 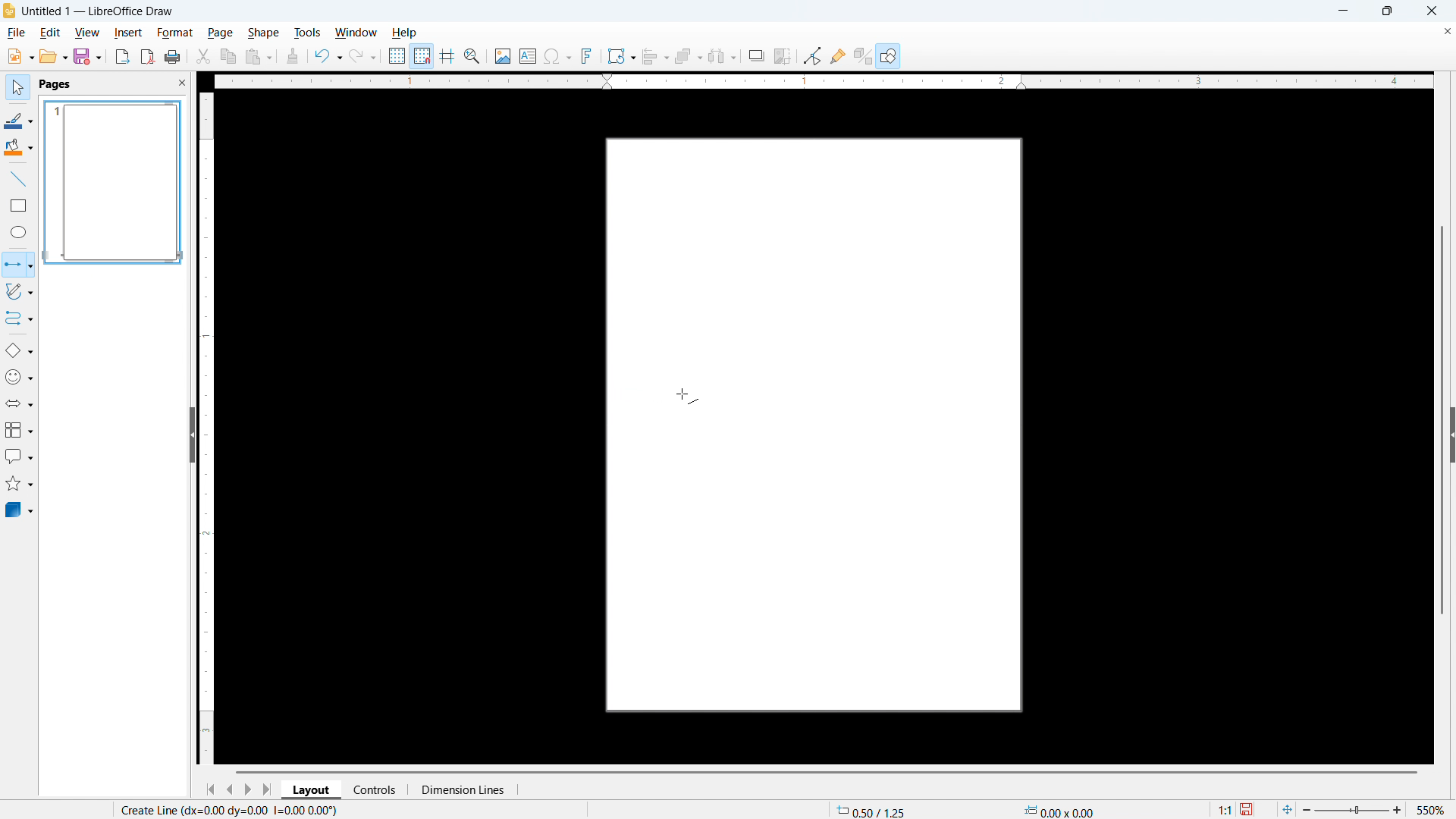 I want to click on Go to first page , so click(x=209, y=790).